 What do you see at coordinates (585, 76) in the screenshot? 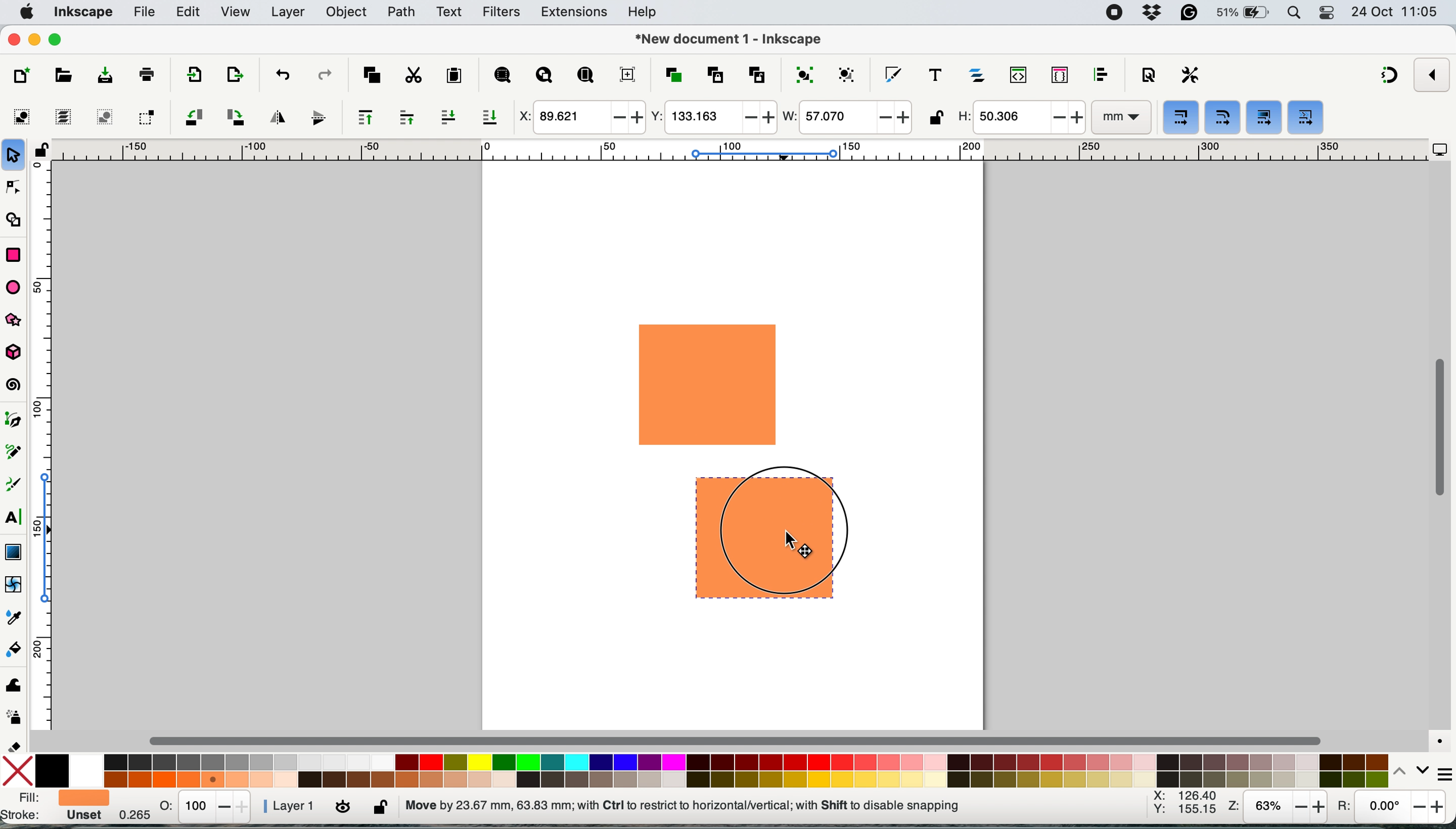
I see `zoom page` at bounding box center [585, 76].